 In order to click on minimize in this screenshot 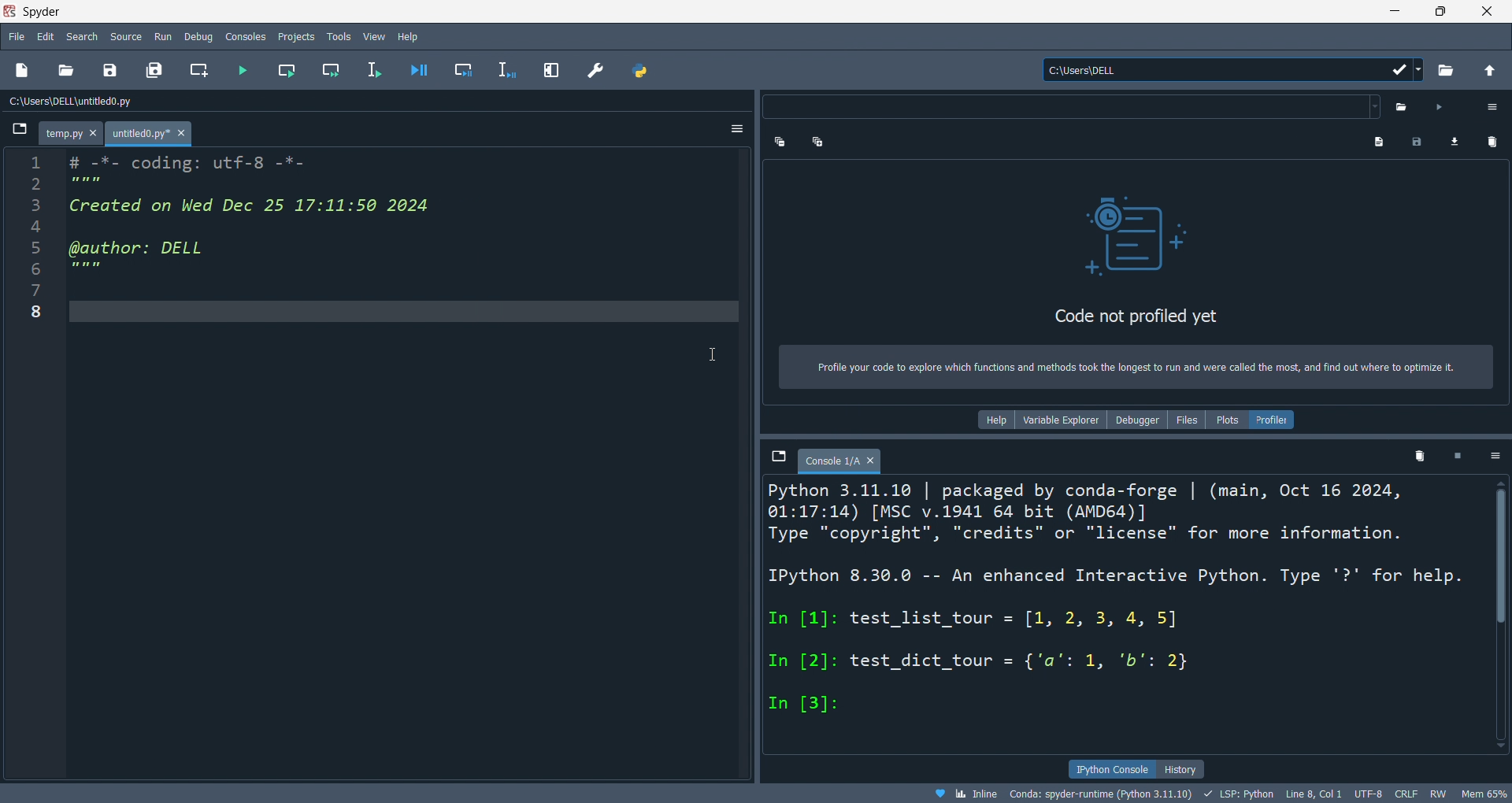, I will do `click(1393, 12)`.